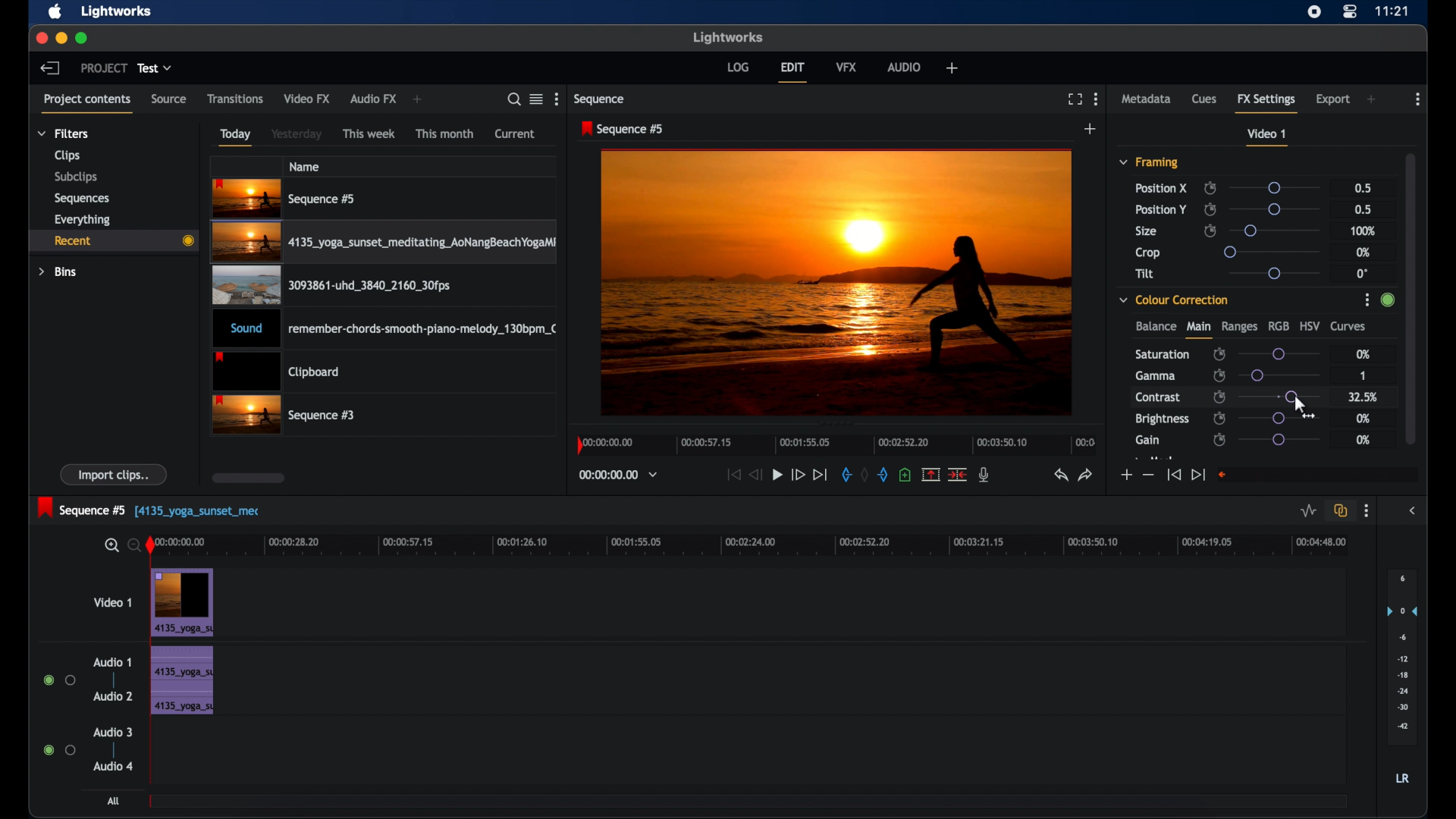  What do you see at coordinates (797, 474) in the screenshot?
I see `fast forward` at bounding box center [797, 474].